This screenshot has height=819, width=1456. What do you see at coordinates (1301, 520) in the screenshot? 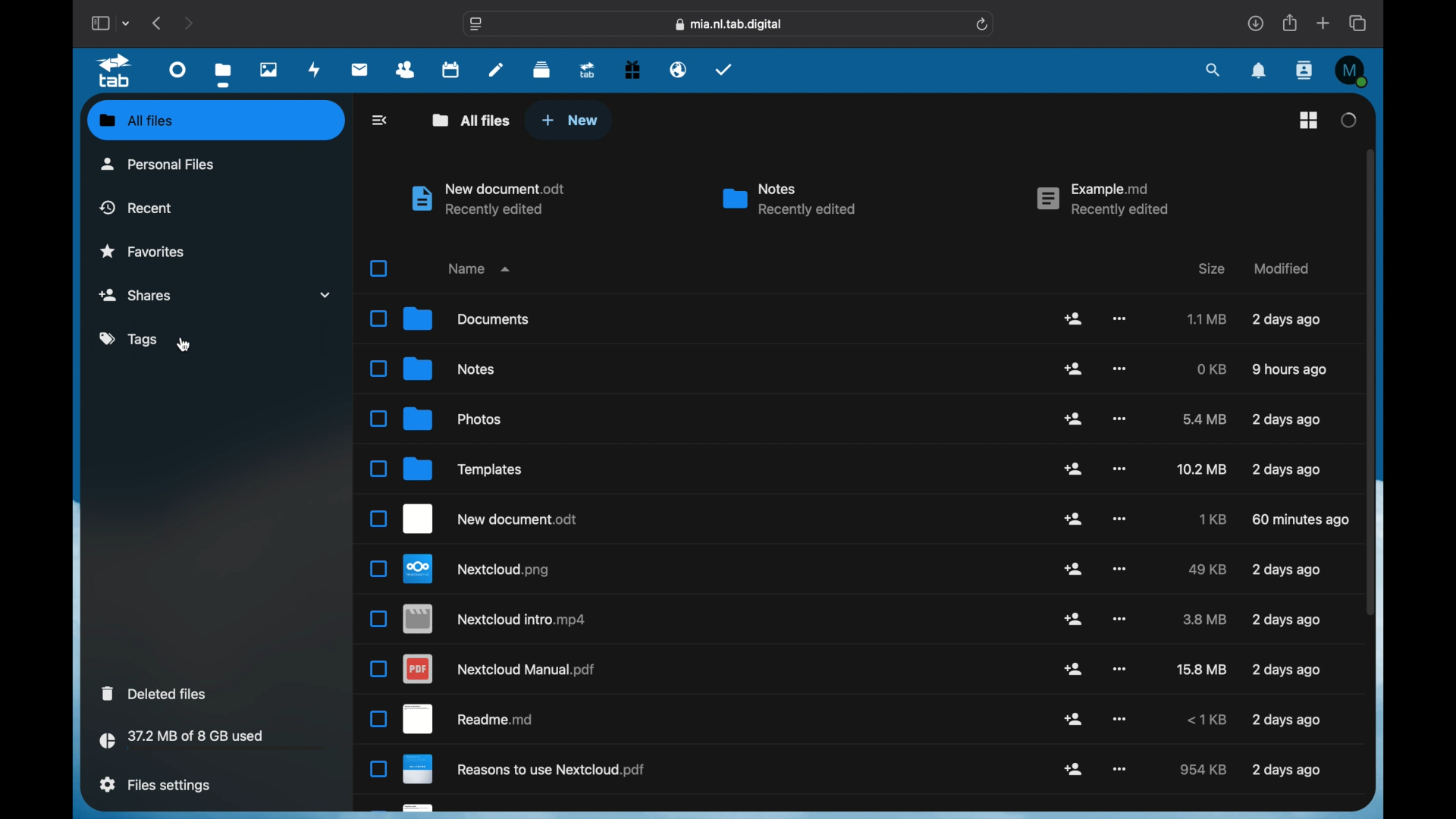
I see `modified` at bounding box center [1301, 520].